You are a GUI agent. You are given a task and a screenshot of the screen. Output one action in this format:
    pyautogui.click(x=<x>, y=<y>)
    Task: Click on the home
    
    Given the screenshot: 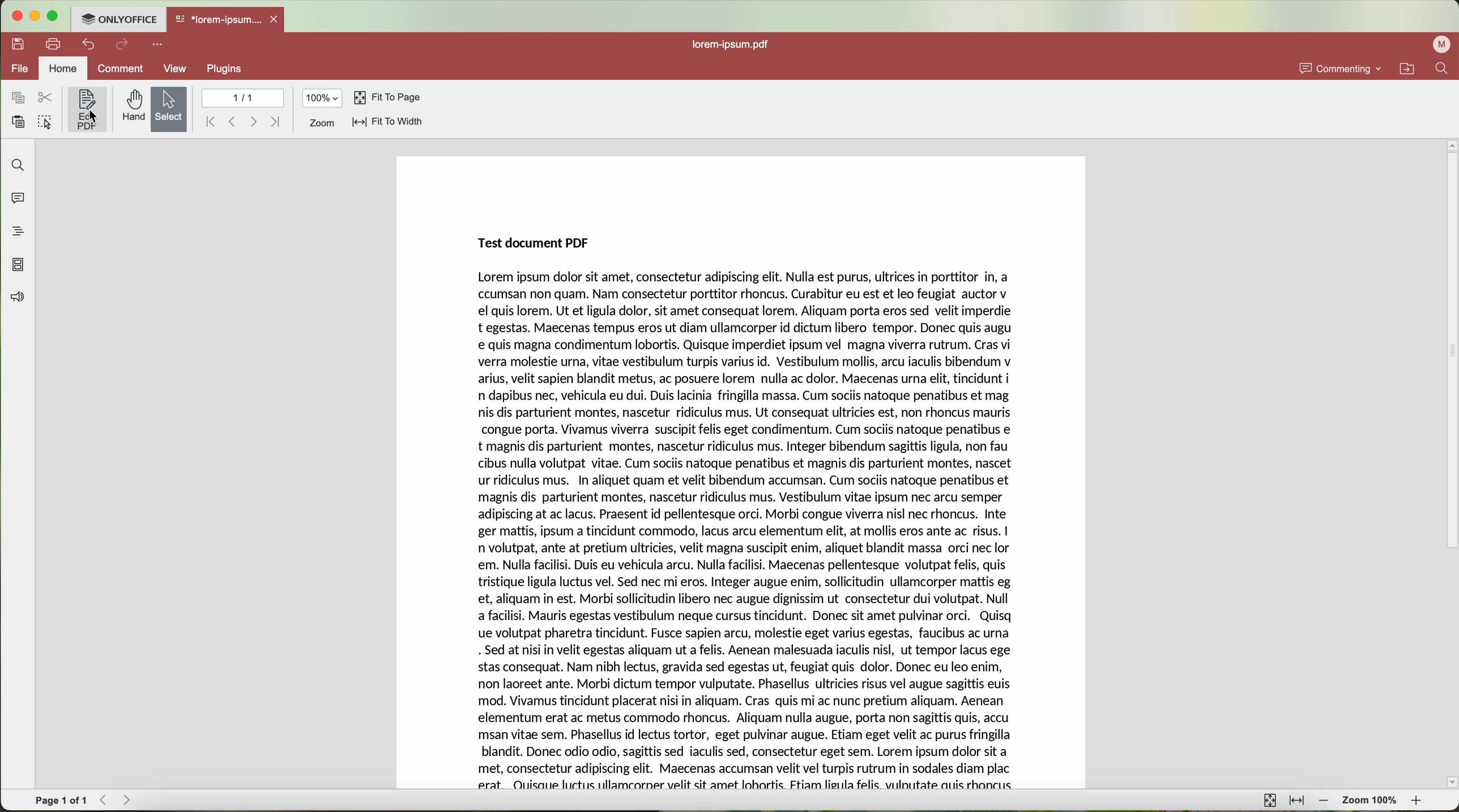 What is the action you would take?
    pyautogui.click(x=63, y=69)
    